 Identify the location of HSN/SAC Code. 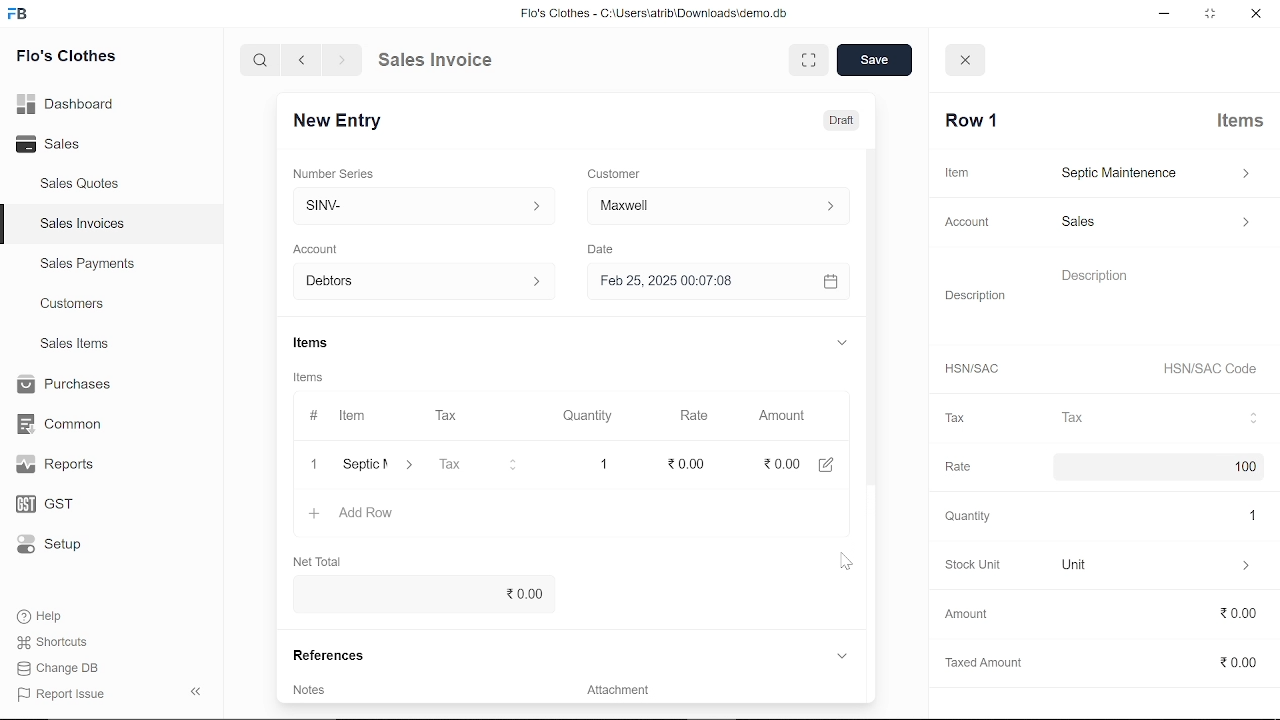
(1210, 371).